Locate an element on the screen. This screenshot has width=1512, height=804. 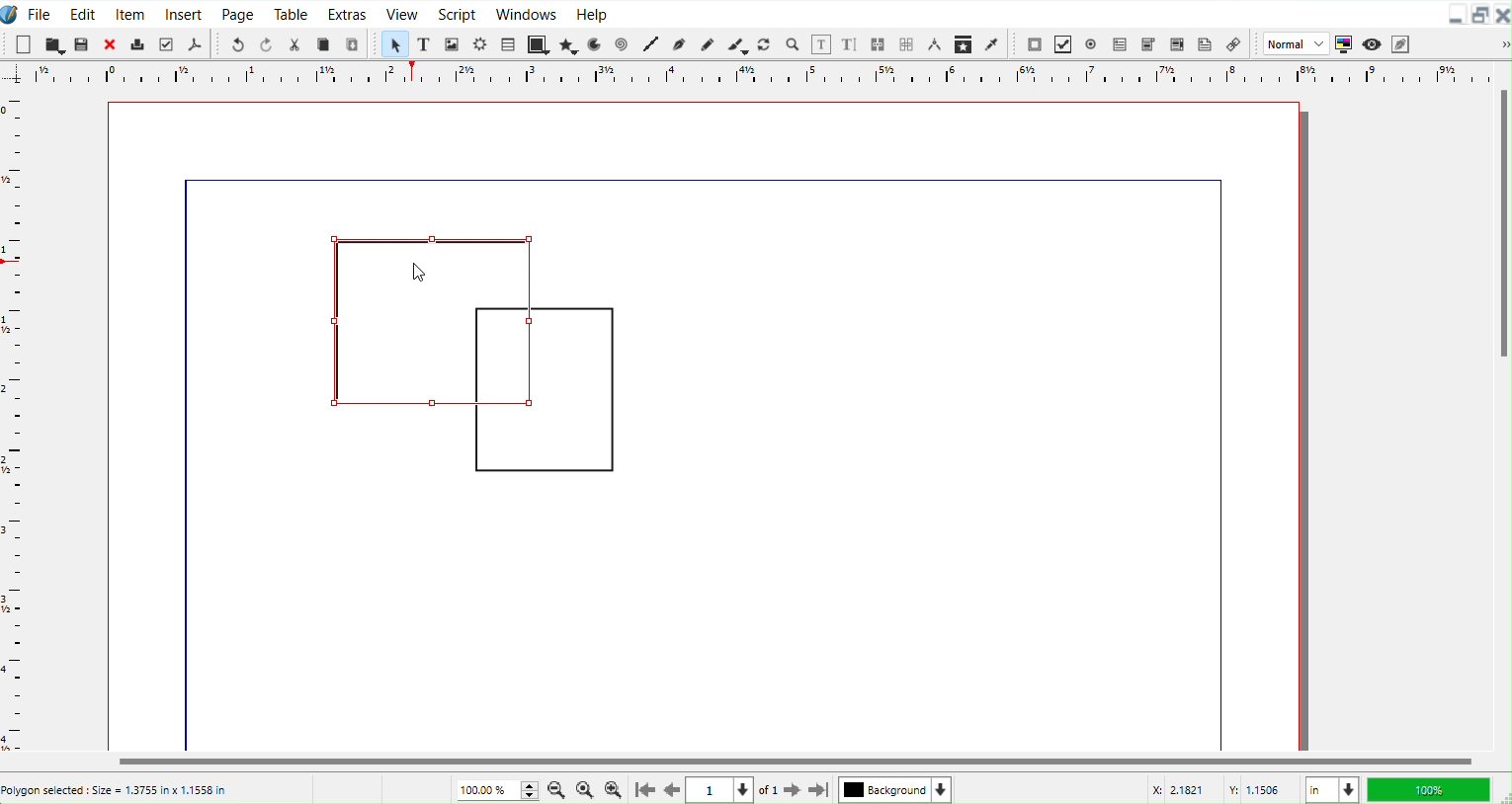
Close is located at coordinates (108, 44).